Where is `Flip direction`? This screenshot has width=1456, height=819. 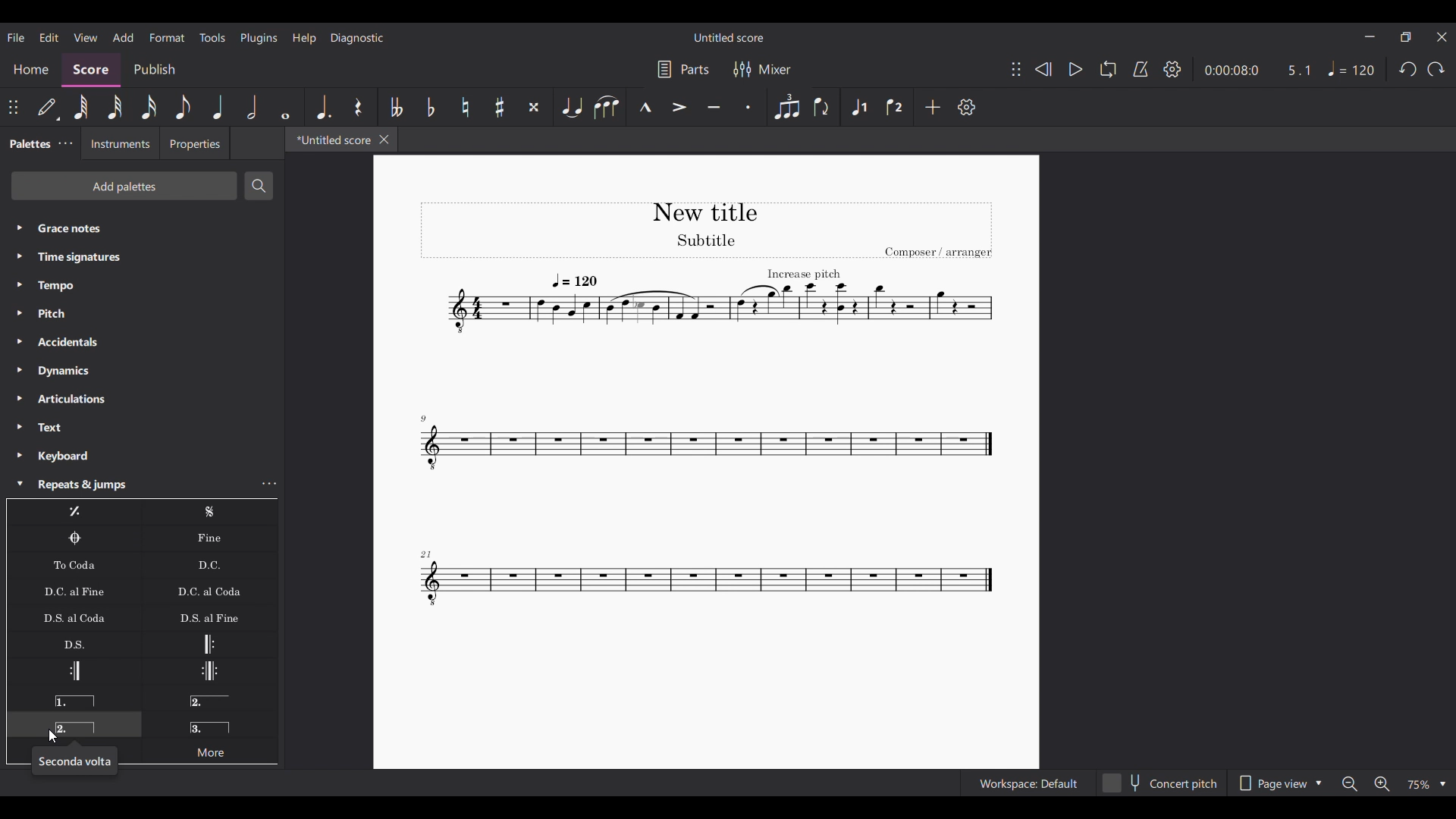
Flip direction is located at coordinates (823, 107).